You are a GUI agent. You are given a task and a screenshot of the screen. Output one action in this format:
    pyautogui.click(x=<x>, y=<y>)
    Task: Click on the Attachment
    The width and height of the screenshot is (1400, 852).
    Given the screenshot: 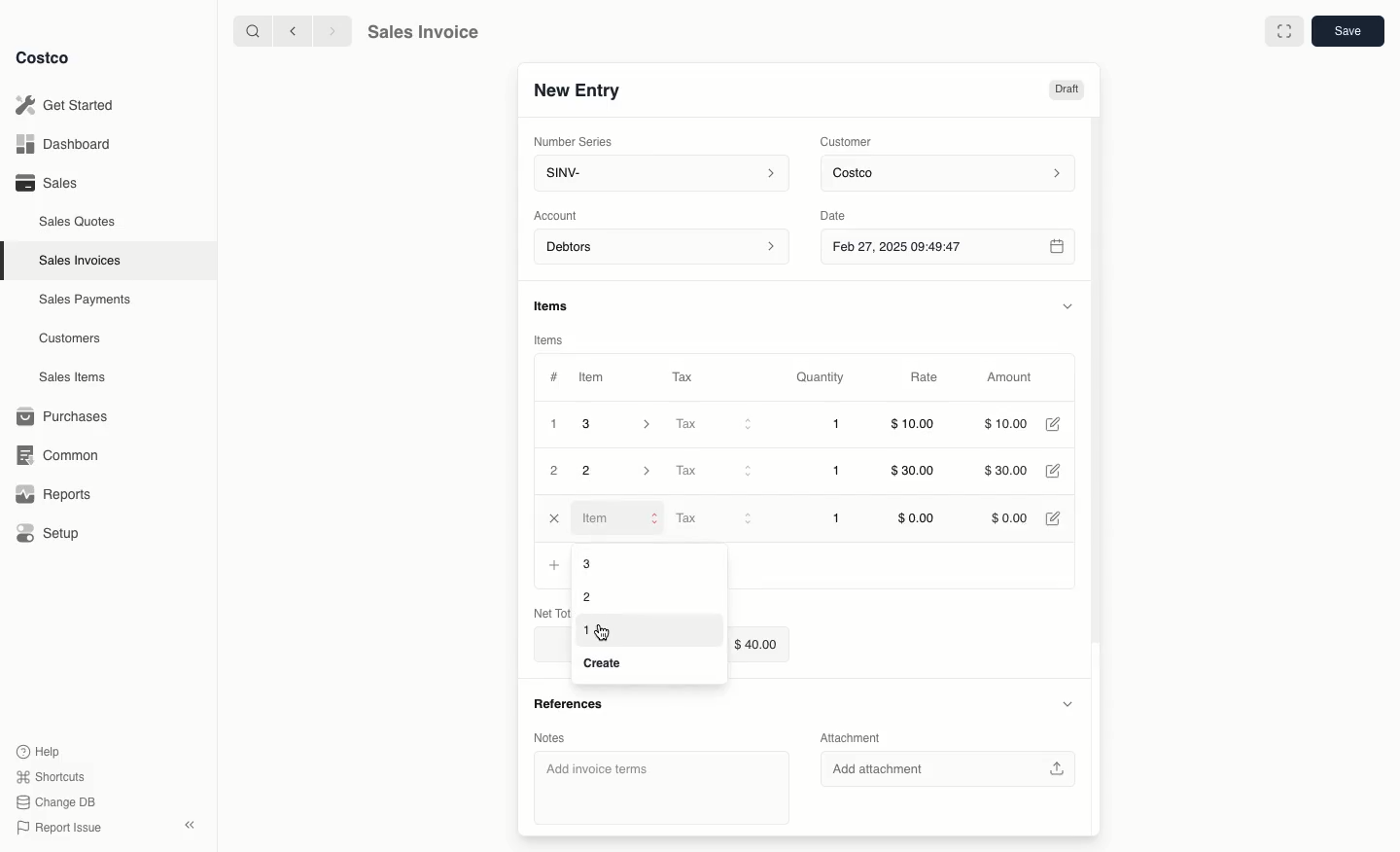 What is the action you would take?
    pyautogui.click(x=856, y=736)
    